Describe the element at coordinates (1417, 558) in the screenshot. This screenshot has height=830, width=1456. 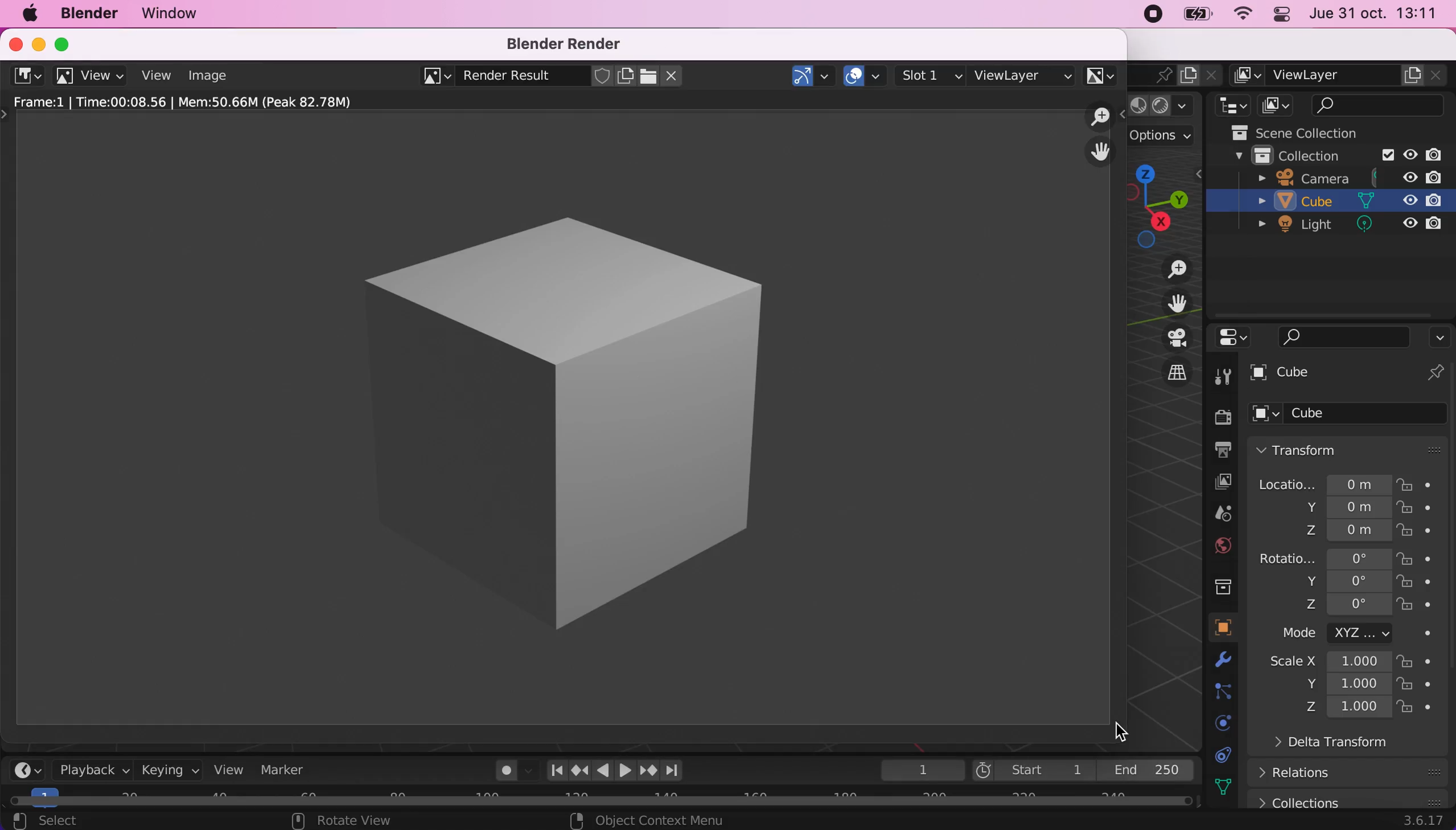
I see `lock` at that location.